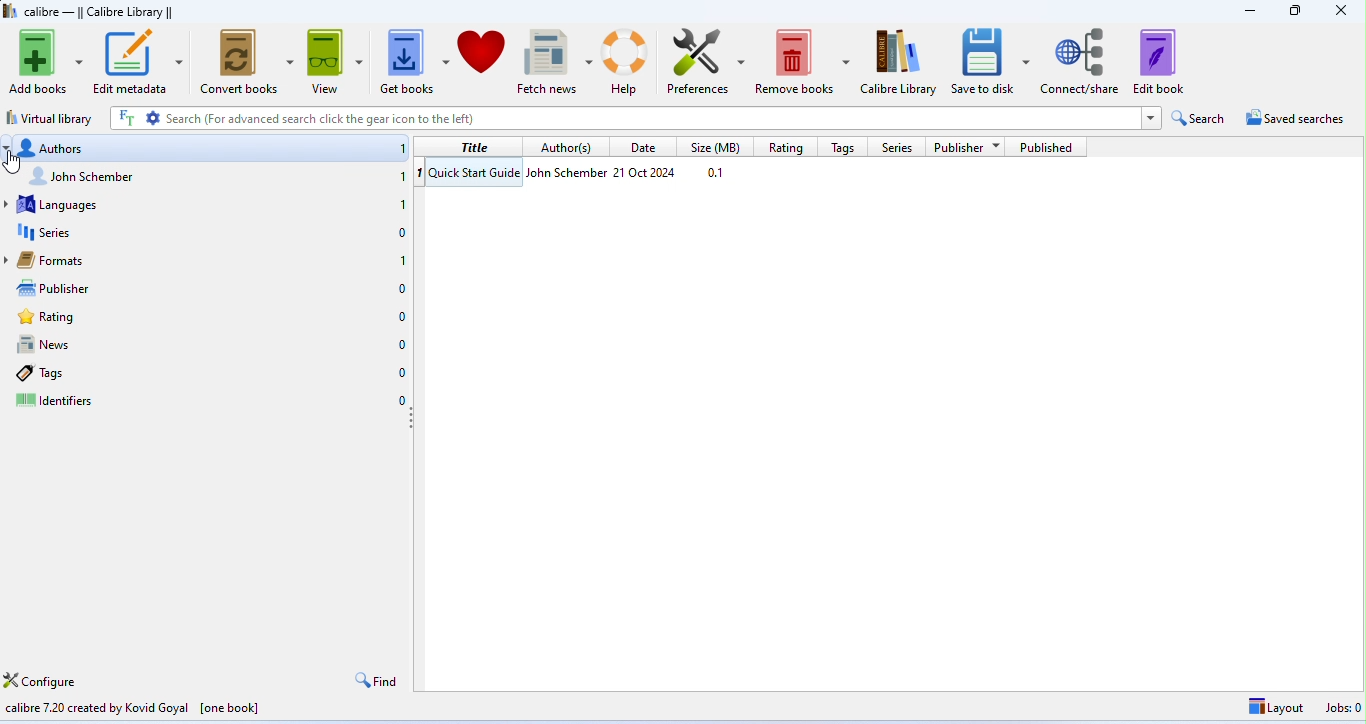 The image size is (1366, 724). I want to click on get books, so click(414, 58).